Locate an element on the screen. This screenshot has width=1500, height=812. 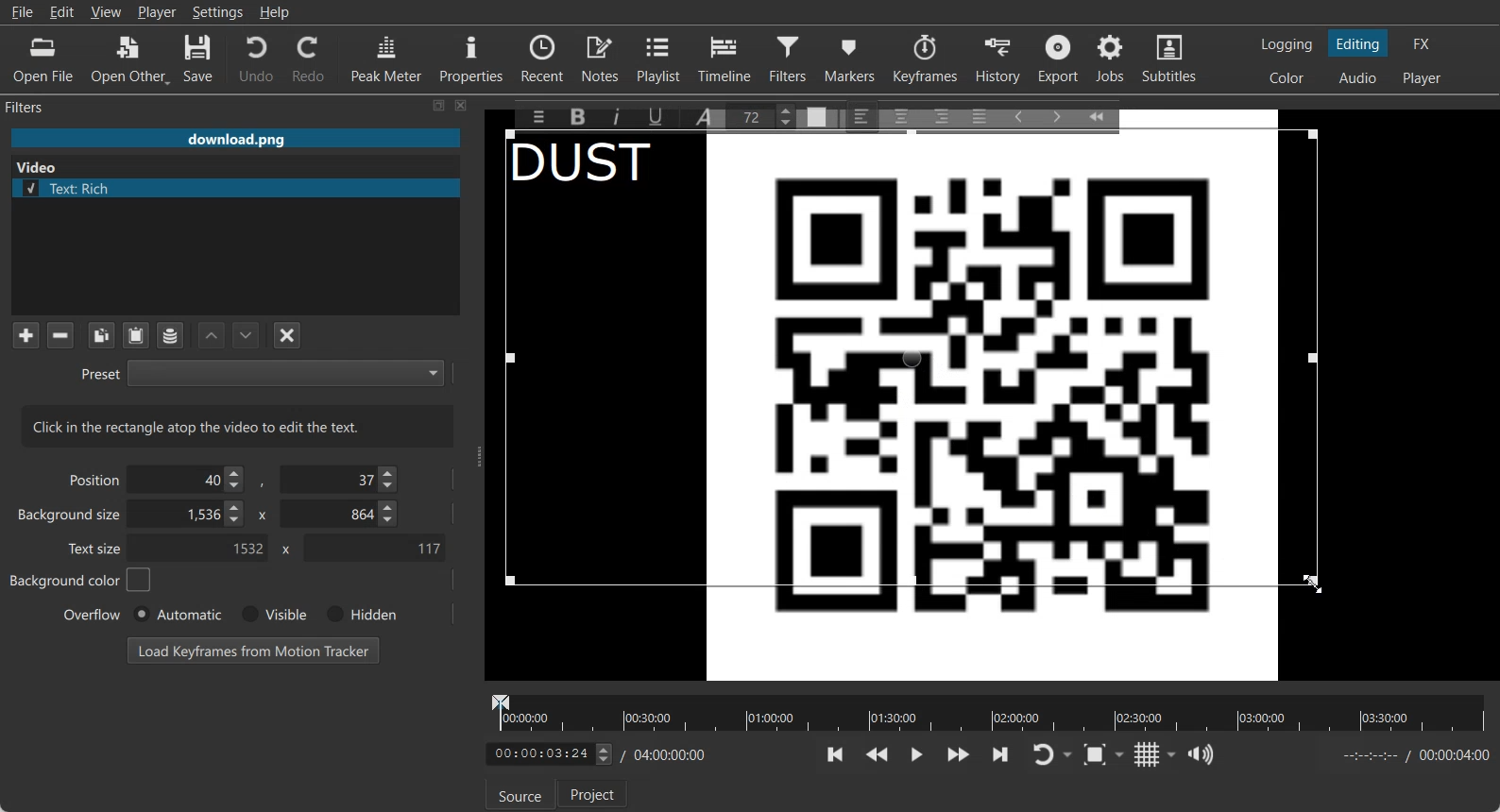
Text size X- Co-ordinate is located at coordinates (204, 550).